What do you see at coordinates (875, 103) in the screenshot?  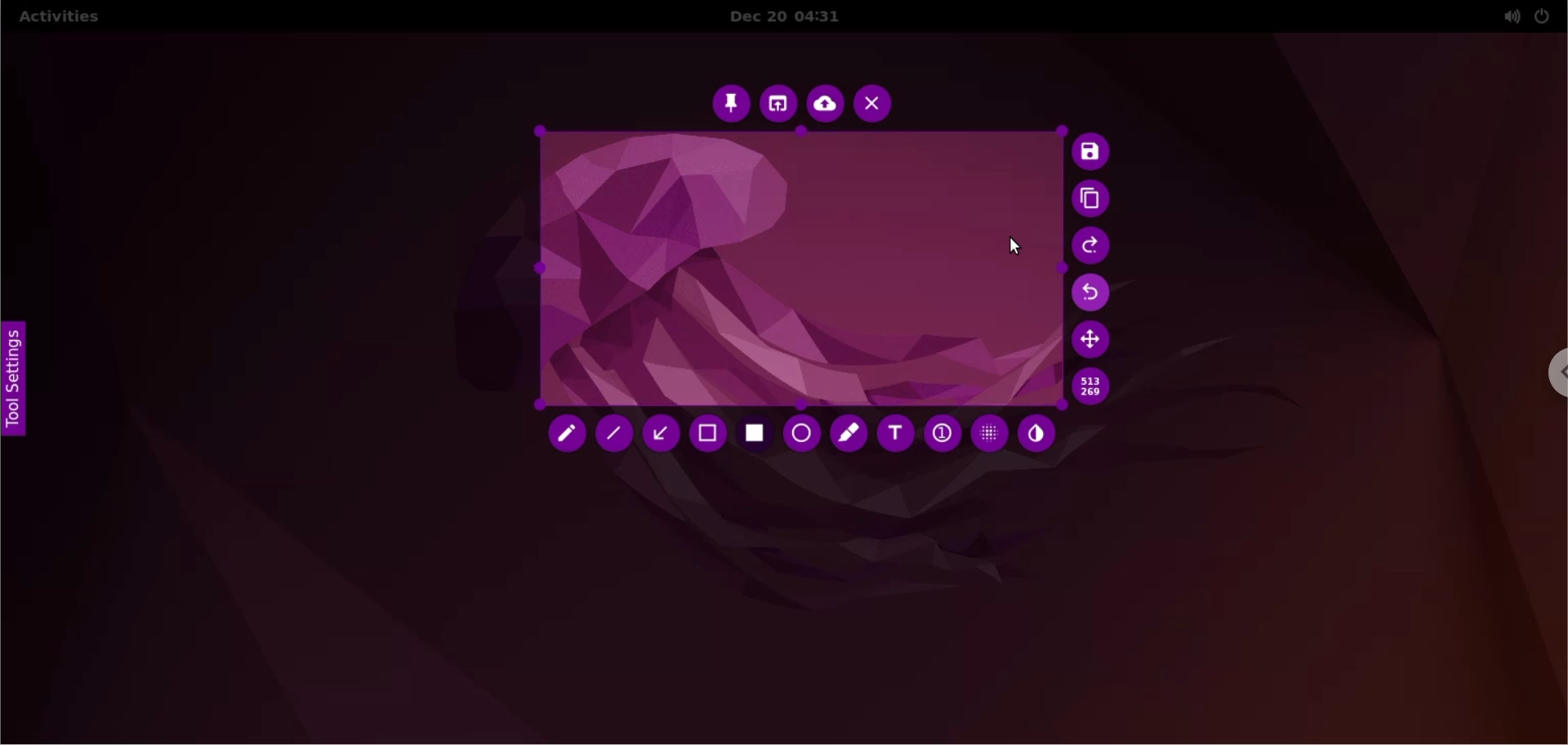 I see `cancel capture` at bounding box center [875, 103].